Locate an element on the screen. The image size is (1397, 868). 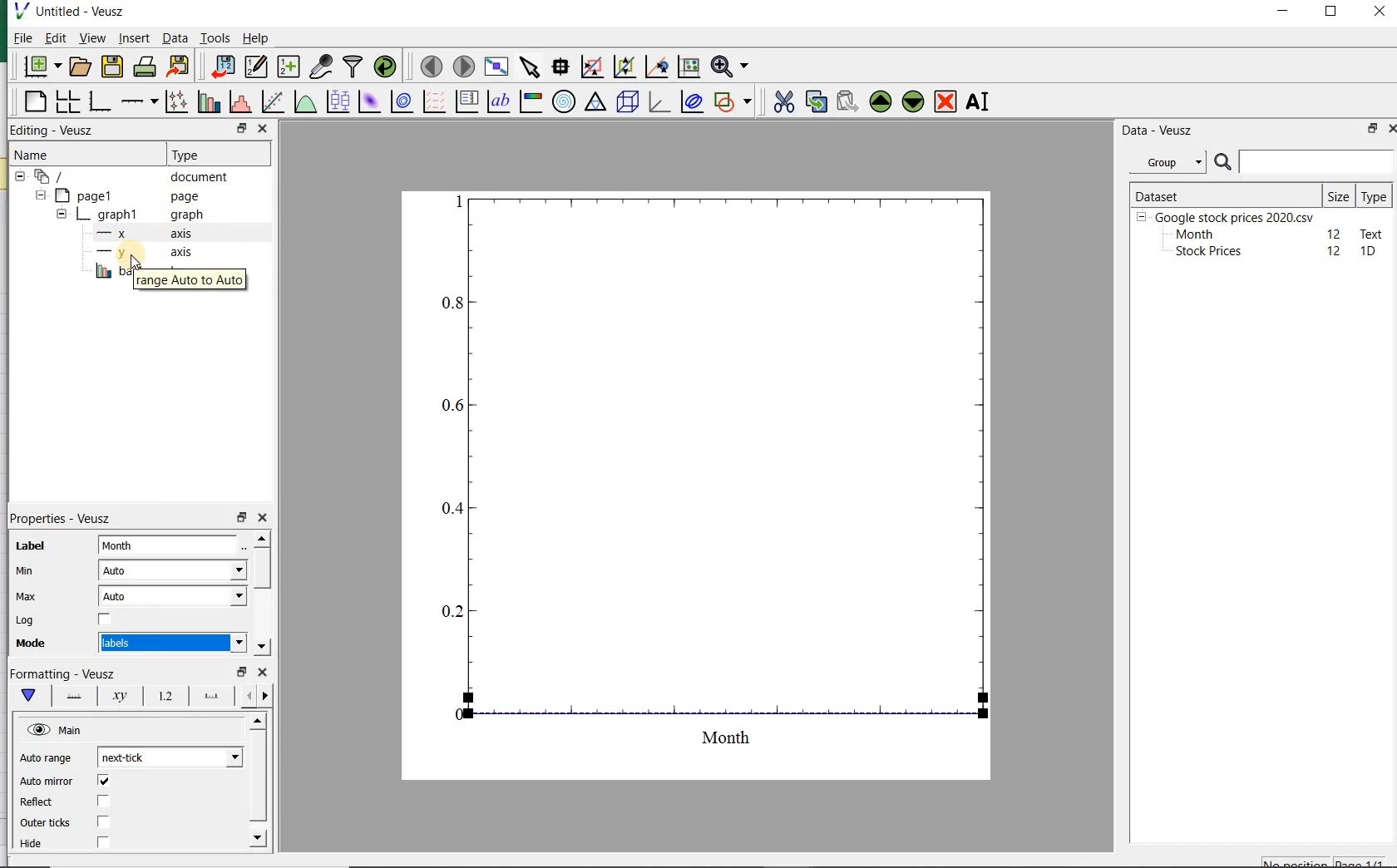
view is located at coordinates (92, 39).